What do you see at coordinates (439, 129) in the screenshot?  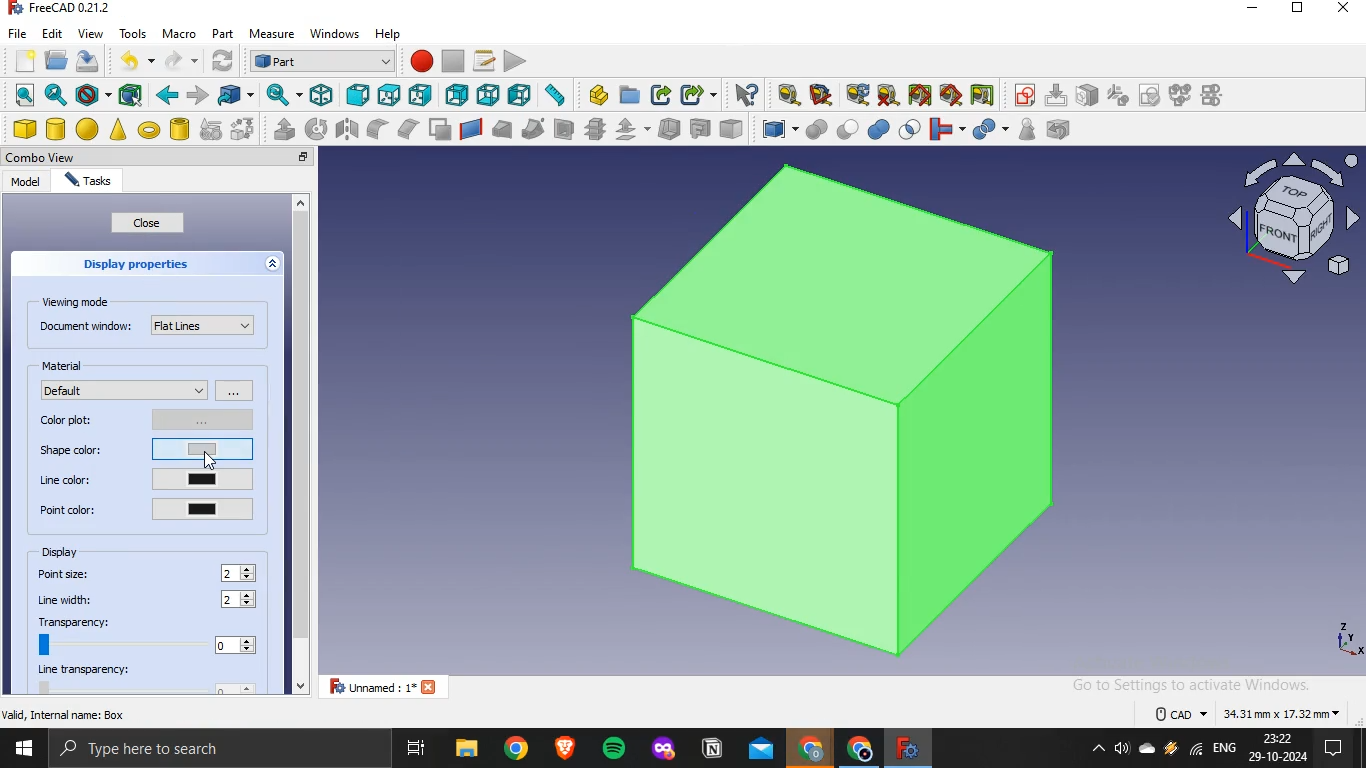 I see `make face from wires` at bounding box center [439, 129].